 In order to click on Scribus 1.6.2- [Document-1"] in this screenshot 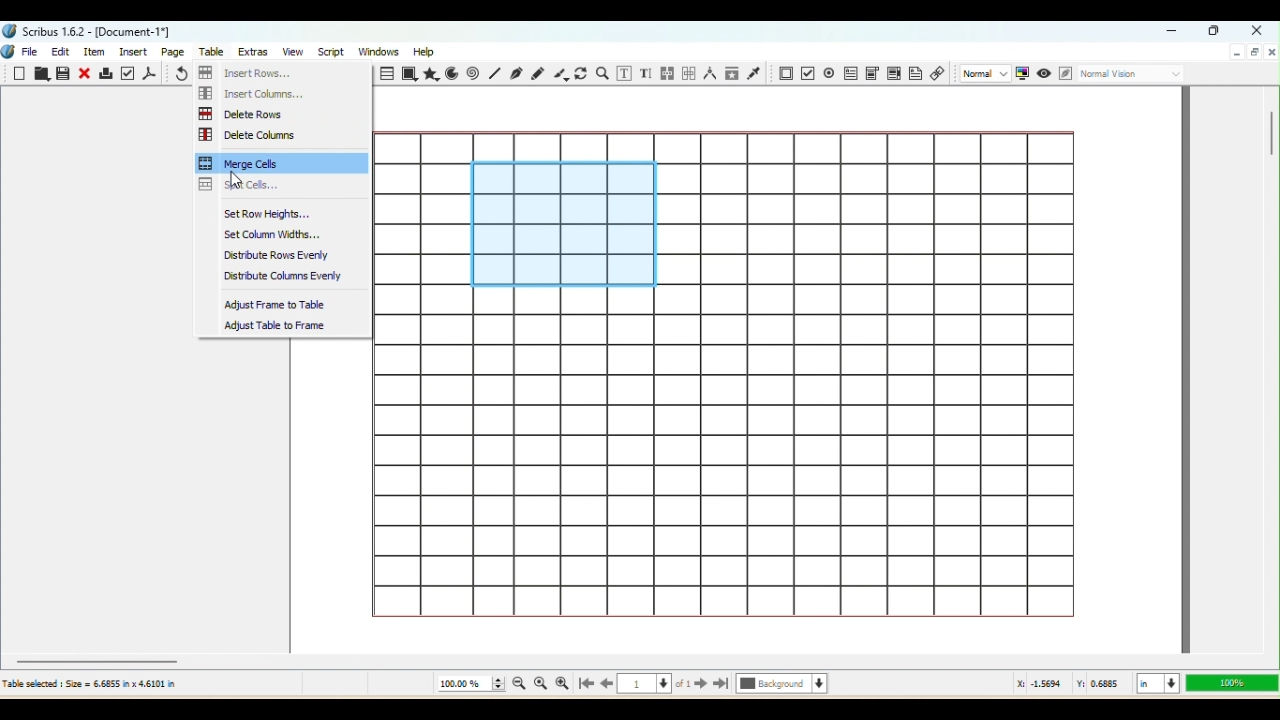, I will do `click(90, 31)`.